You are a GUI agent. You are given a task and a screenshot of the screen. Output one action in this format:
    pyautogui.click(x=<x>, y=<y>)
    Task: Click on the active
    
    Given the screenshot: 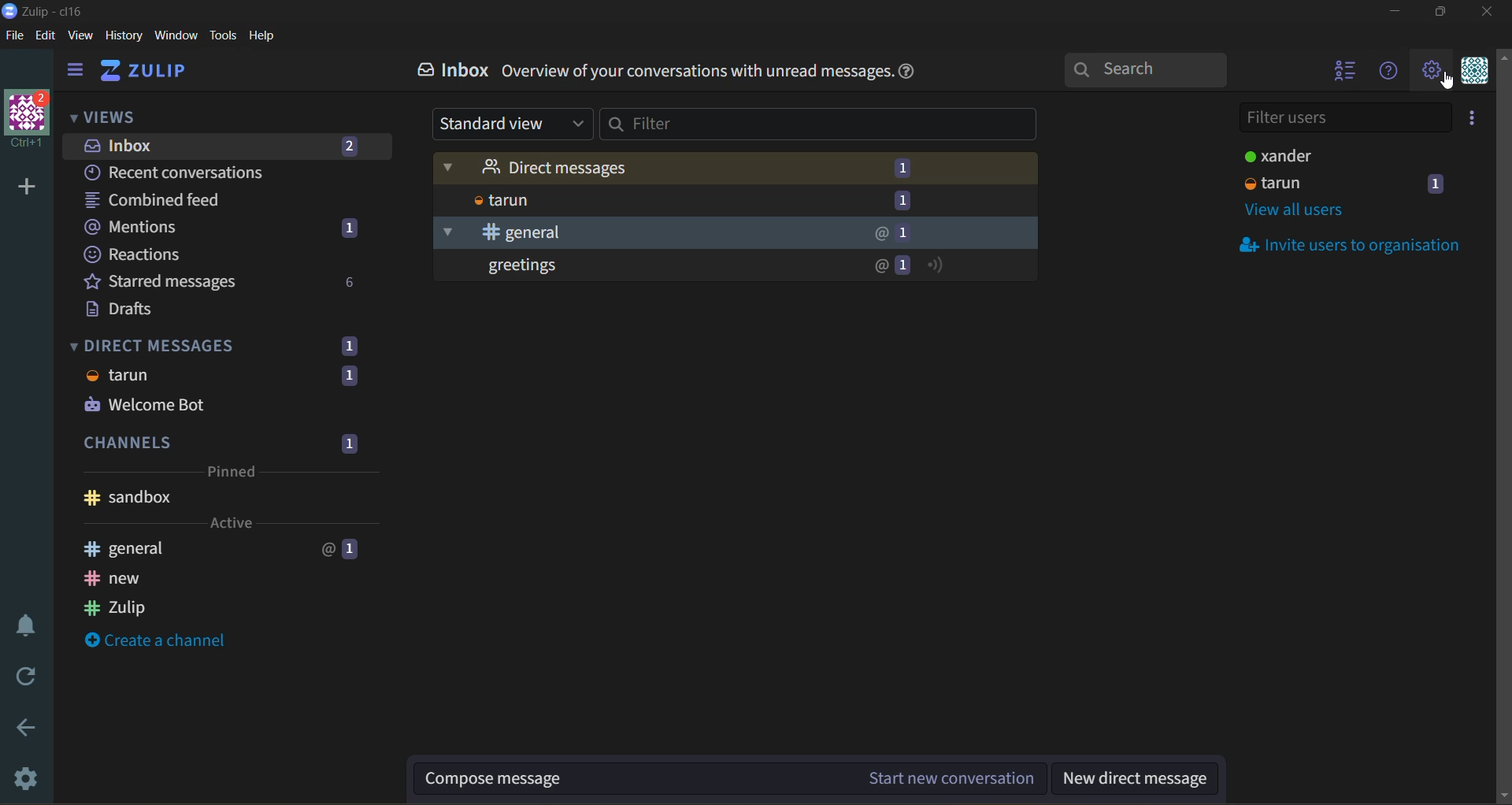 What is the action you would take?
    pyautogui.click(x=232, y=523)
    